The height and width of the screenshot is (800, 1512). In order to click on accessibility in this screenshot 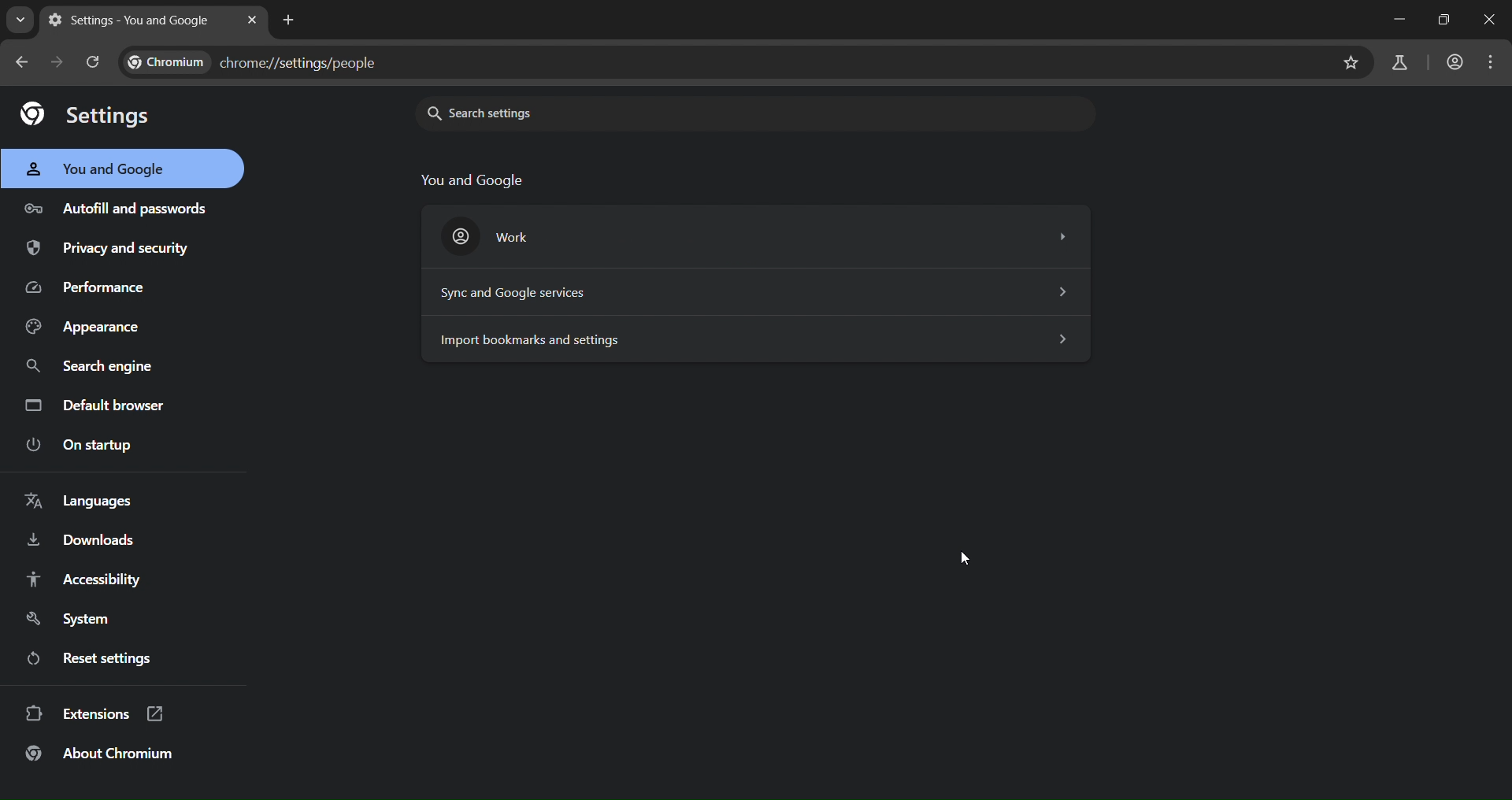, I will do `click(91, 580)`.